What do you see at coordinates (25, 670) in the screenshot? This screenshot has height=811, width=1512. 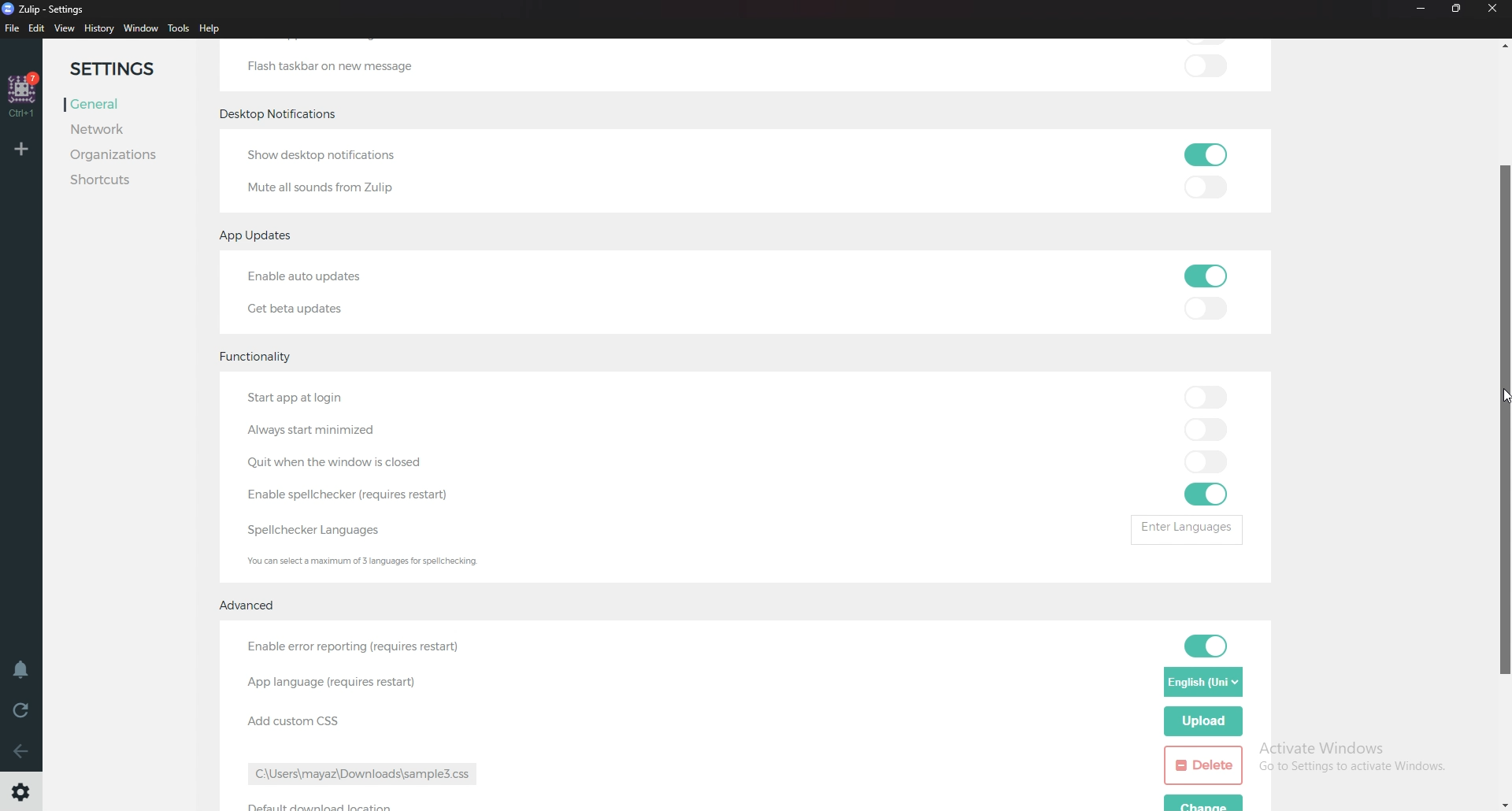 I see `Enable do not disturb` at bounding box center [25, 670].